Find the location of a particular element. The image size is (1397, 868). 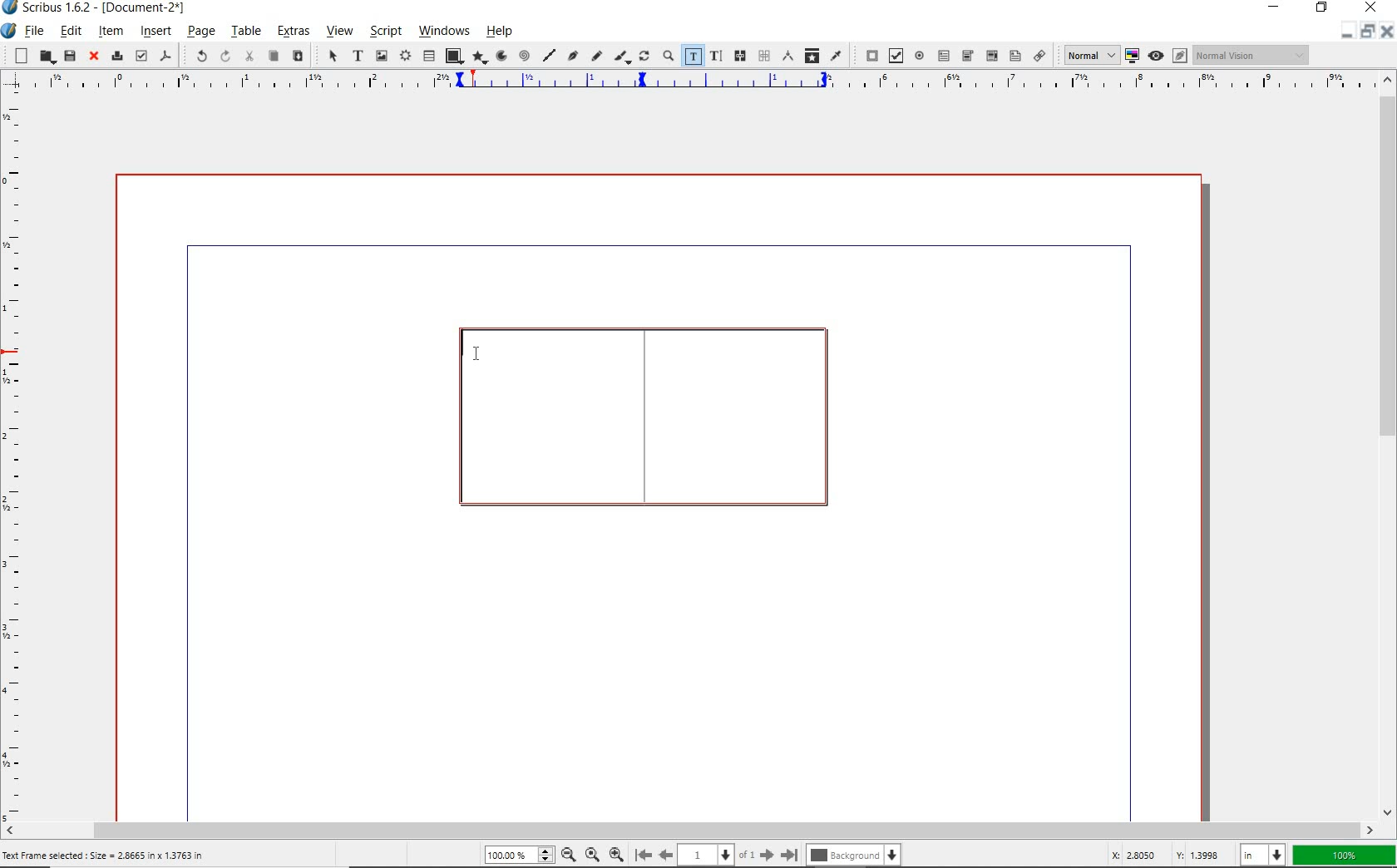

copy is located at coordinates (274, 57).